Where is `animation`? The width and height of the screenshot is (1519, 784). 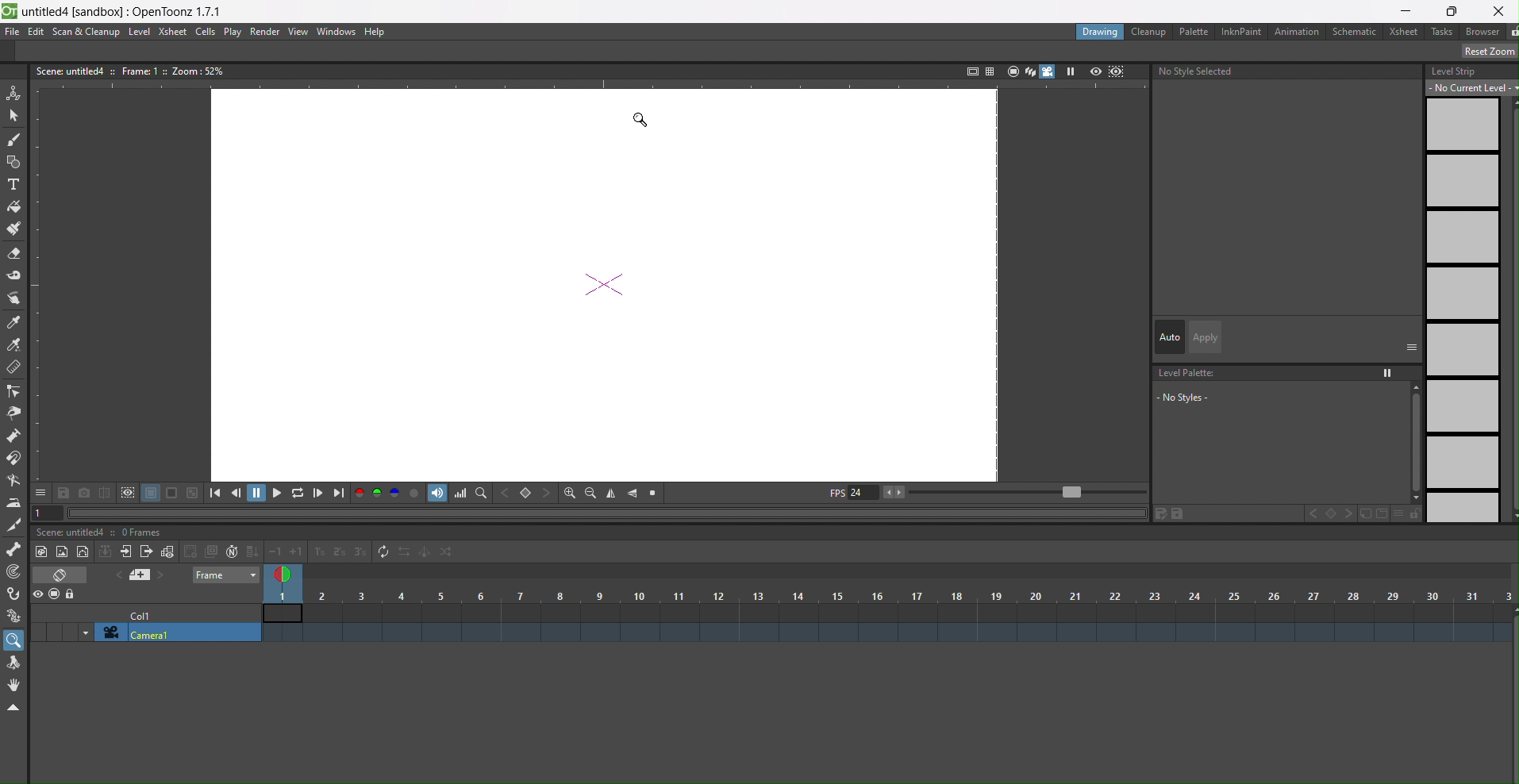 animation is located at coordinates (1298, 31).